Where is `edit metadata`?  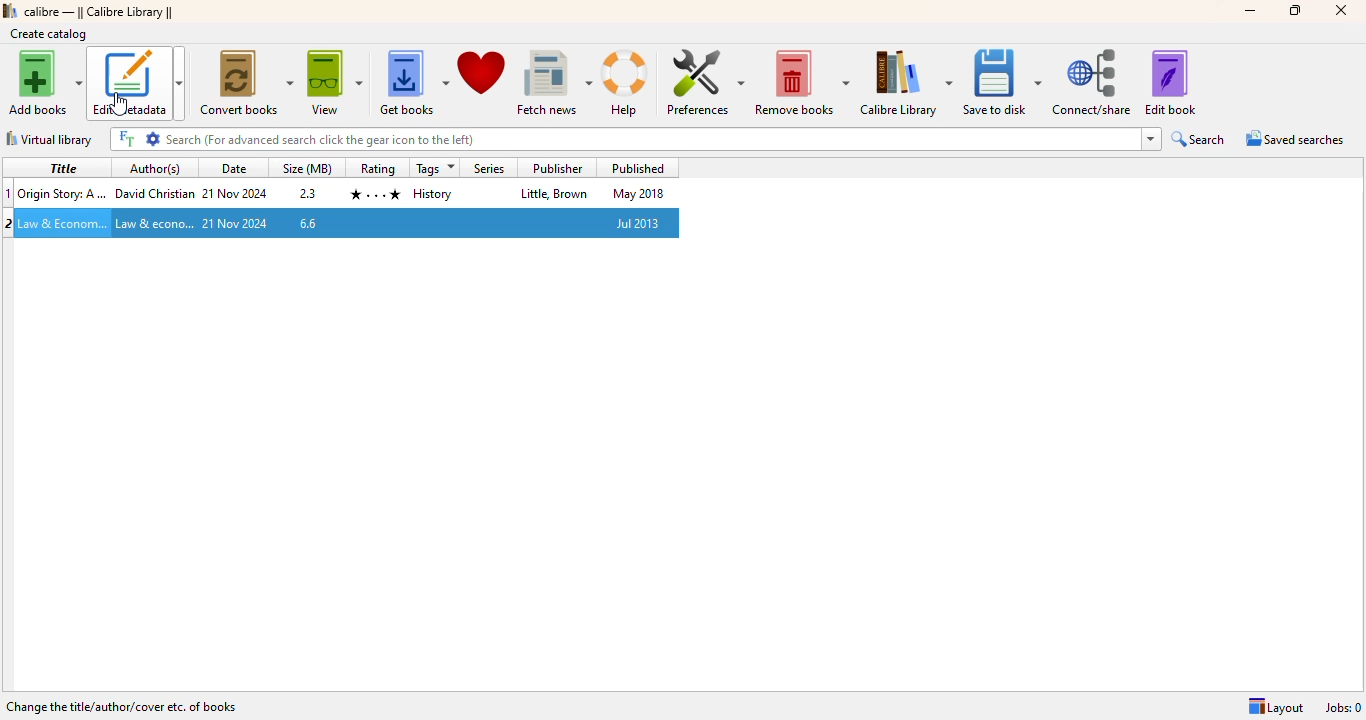
edit metadata is located at coordinates (138, 83).